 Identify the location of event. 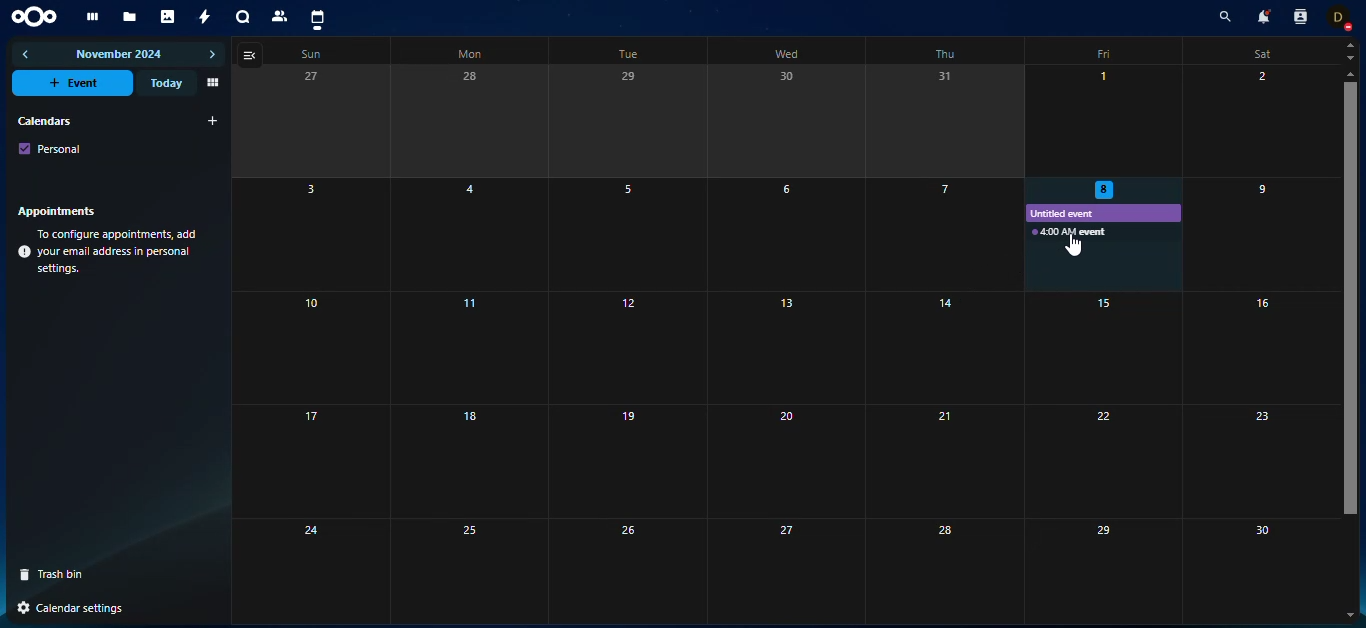
(1069, 232).